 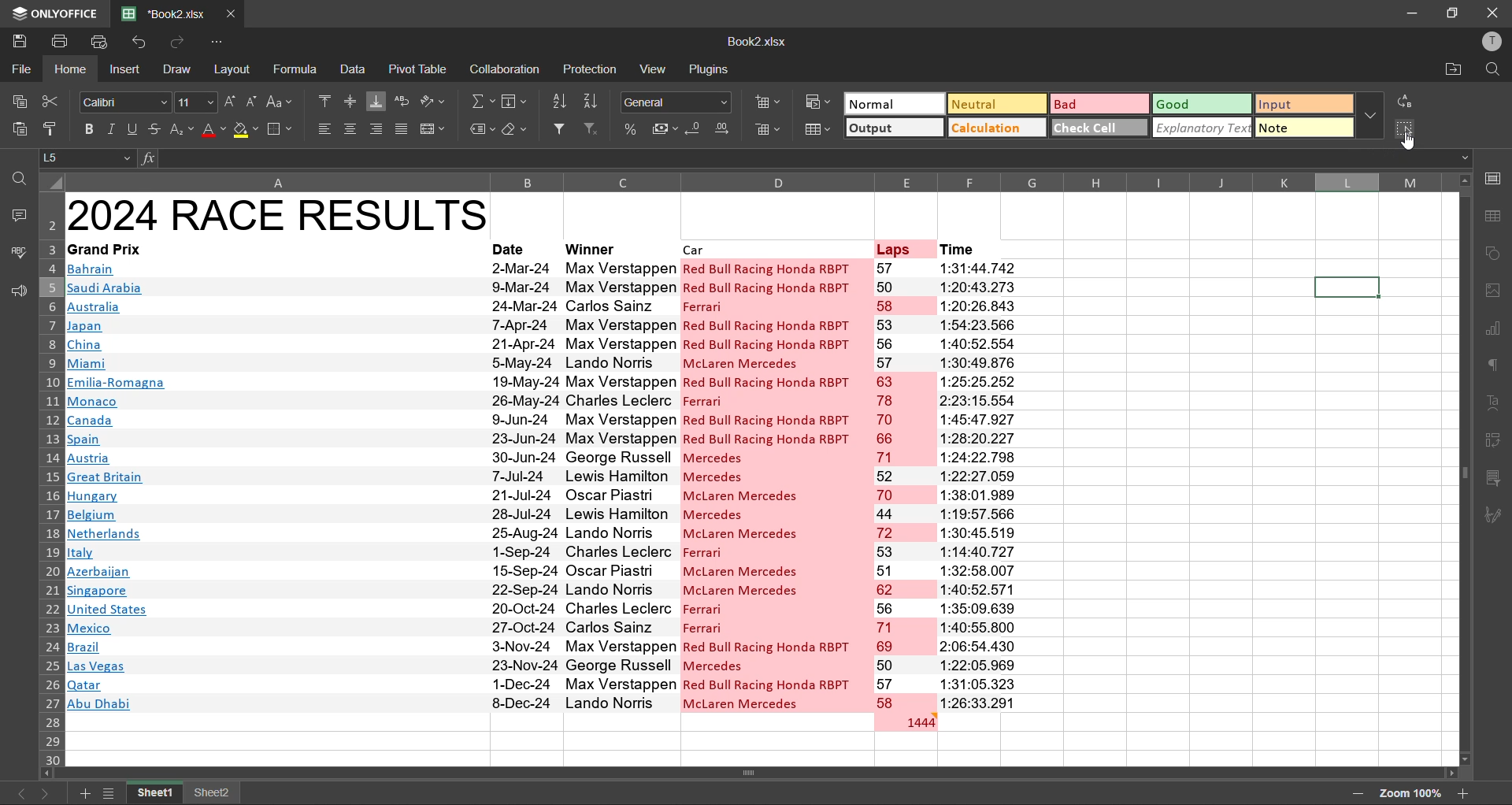 I want to click on delete cells, so click(x=764, y=128).